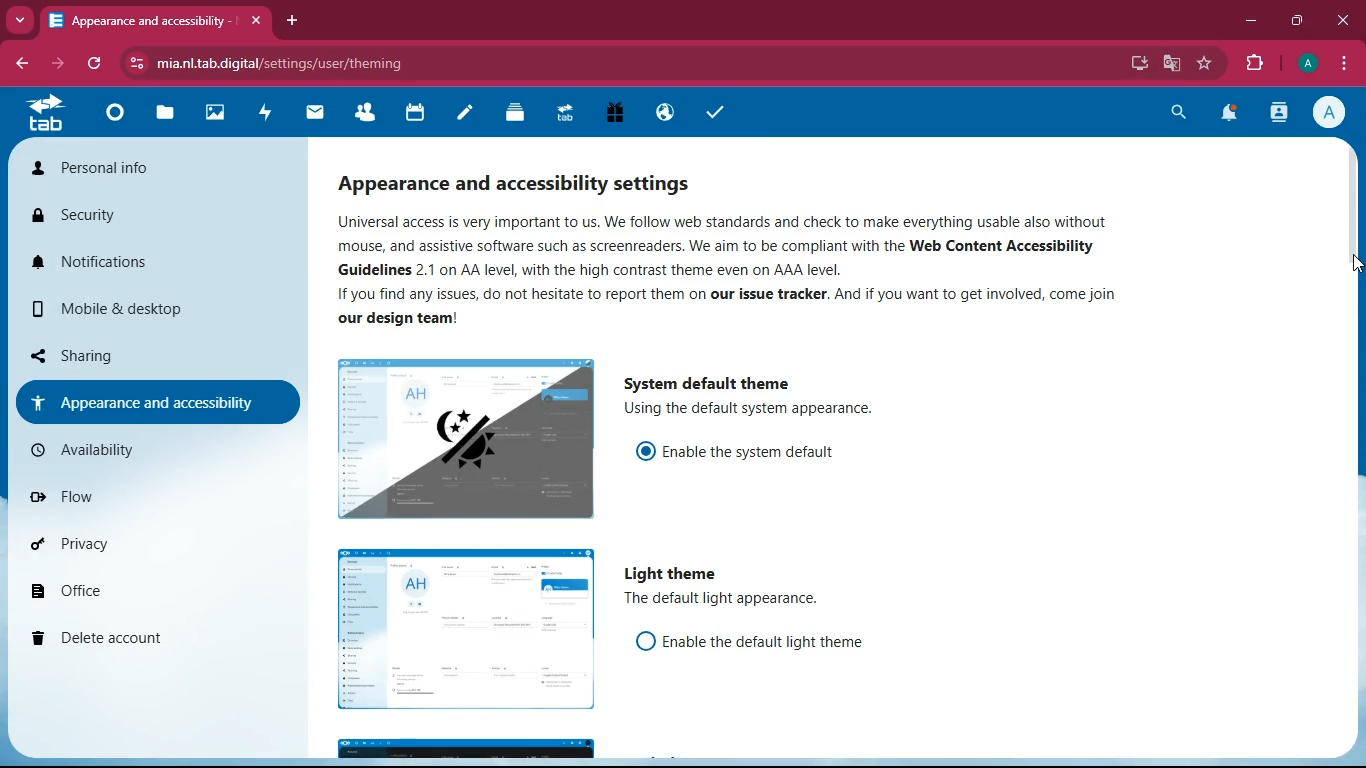  I want to click on on, so click(644, 453).